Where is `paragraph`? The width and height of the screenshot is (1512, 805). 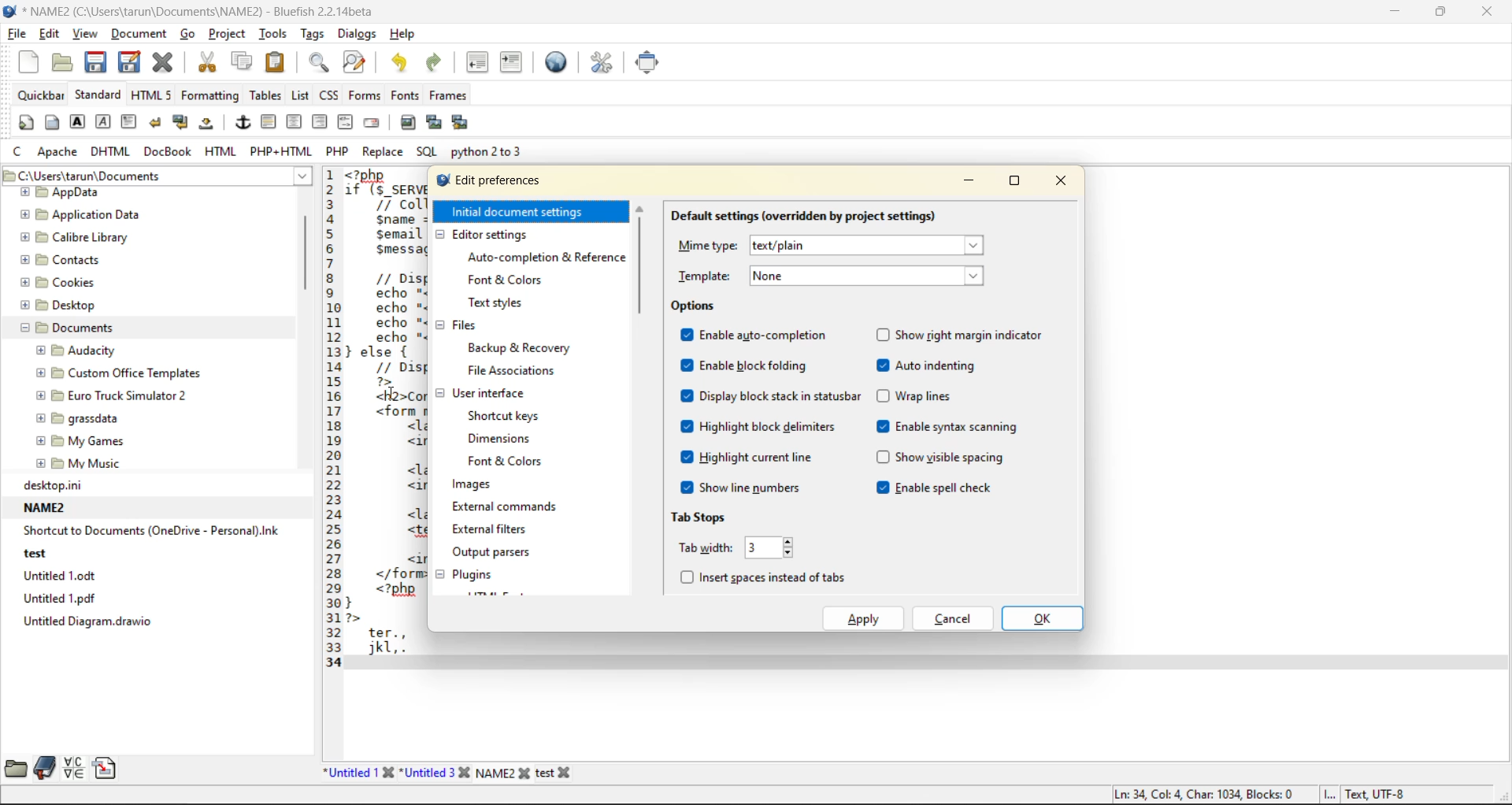 paragraph is located at coordinates (131, 121).